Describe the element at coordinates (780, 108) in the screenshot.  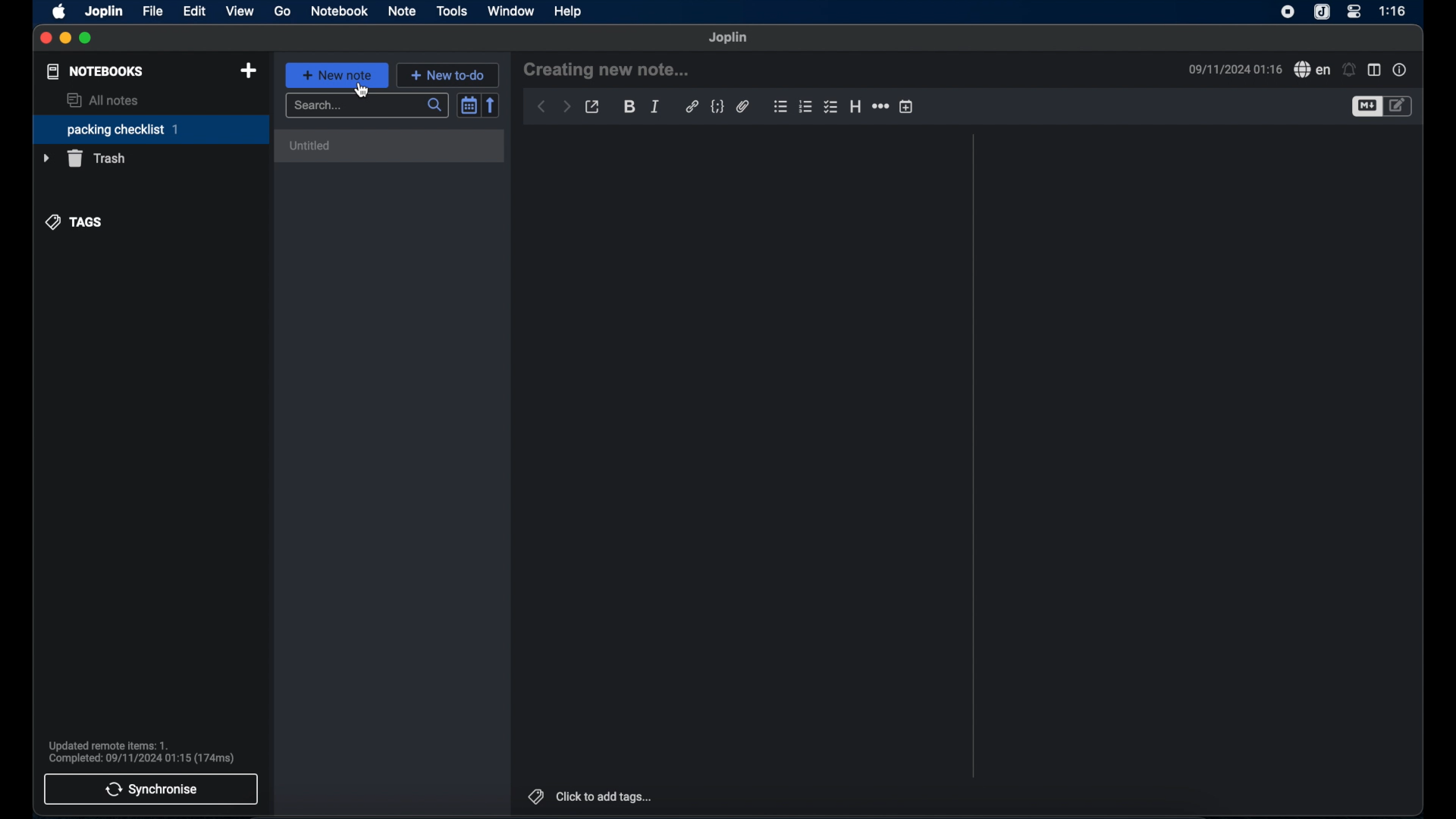
I see `bulleted checklist` at that location.